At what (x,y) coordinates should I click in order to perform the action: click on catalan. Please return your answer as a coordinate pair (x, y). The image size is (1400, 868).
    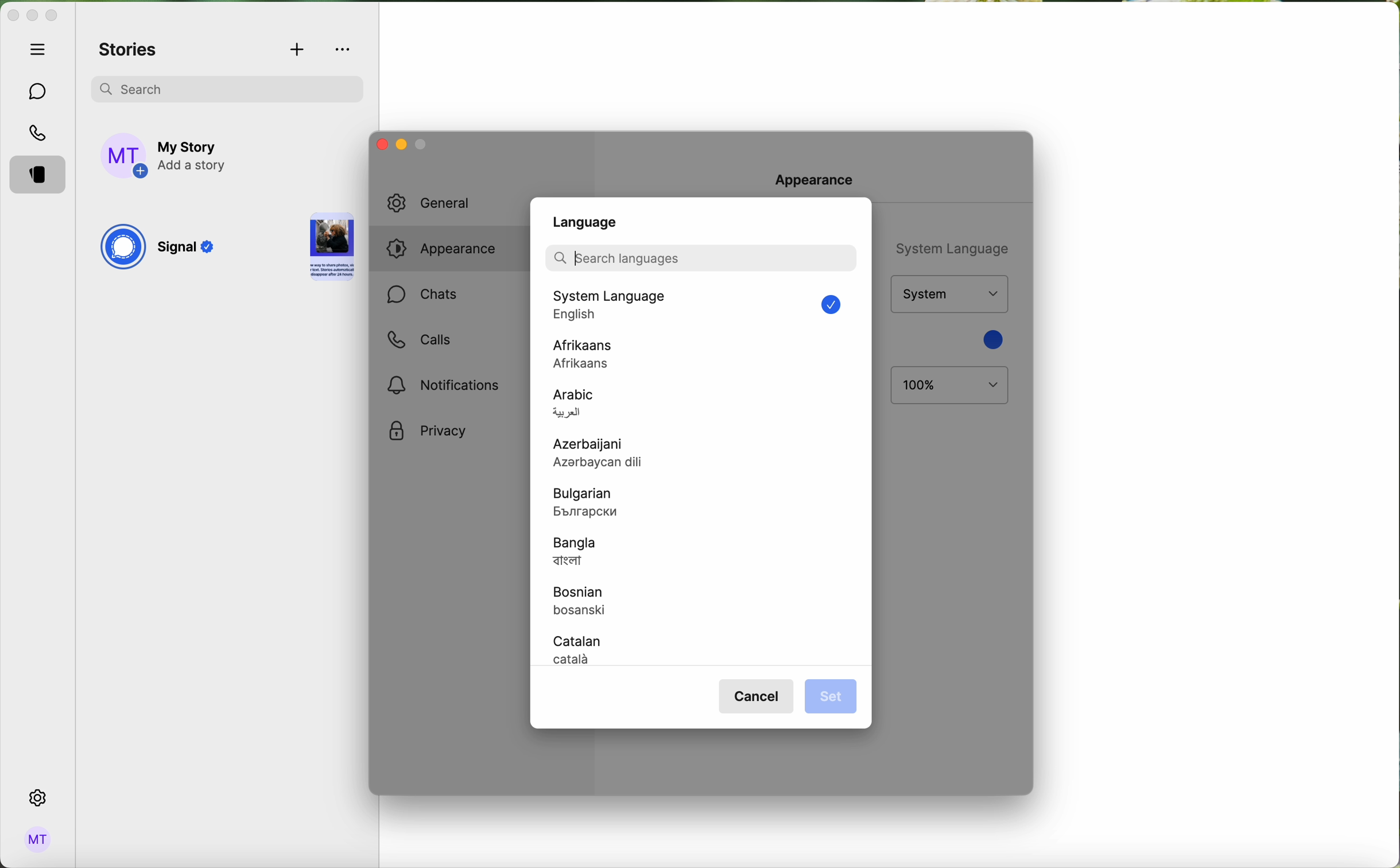
    Looking at the image, I should click on (580, 649).